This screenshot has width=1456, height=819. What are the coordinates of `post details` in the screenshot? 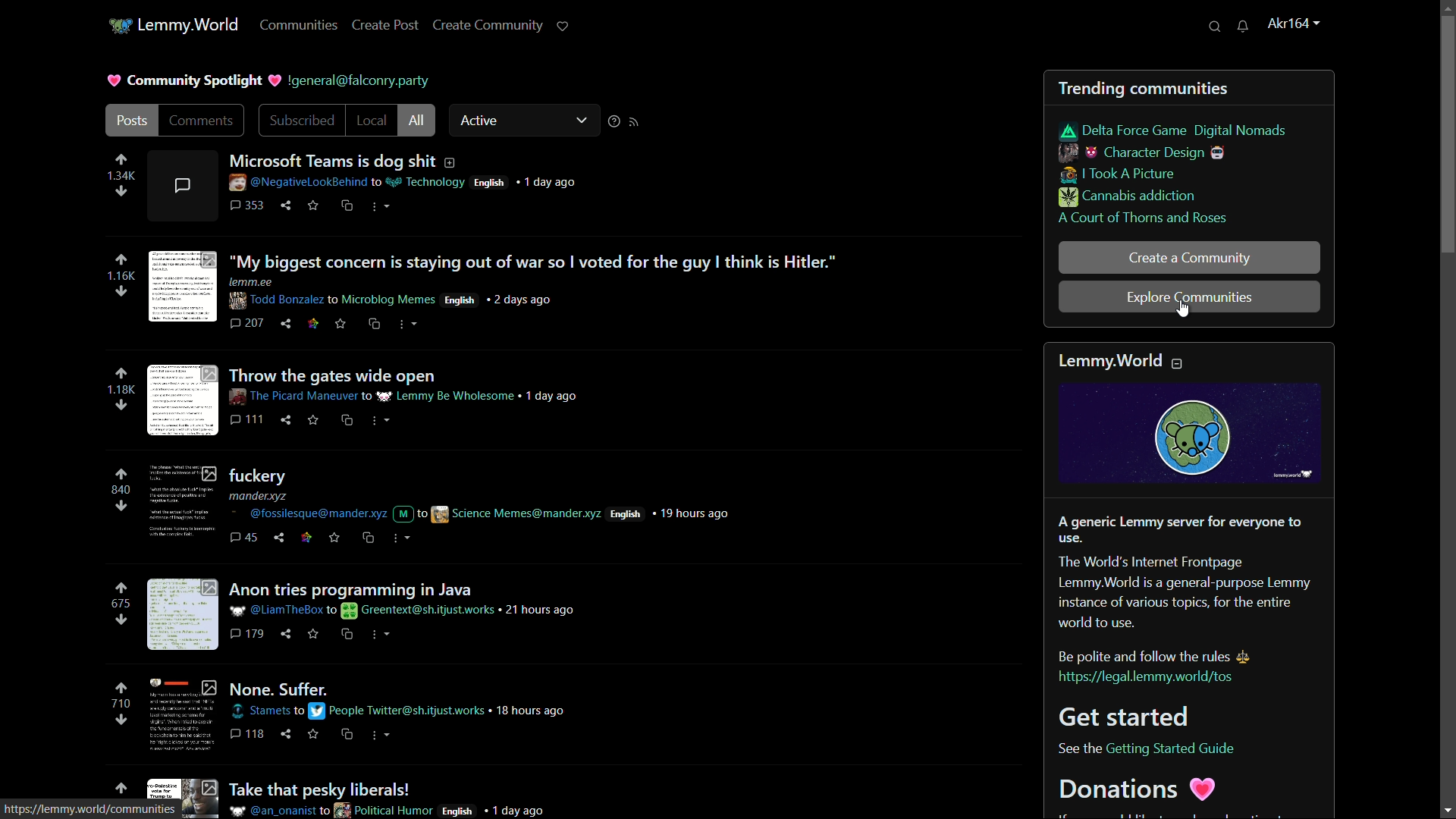 It's located at (394, 811).